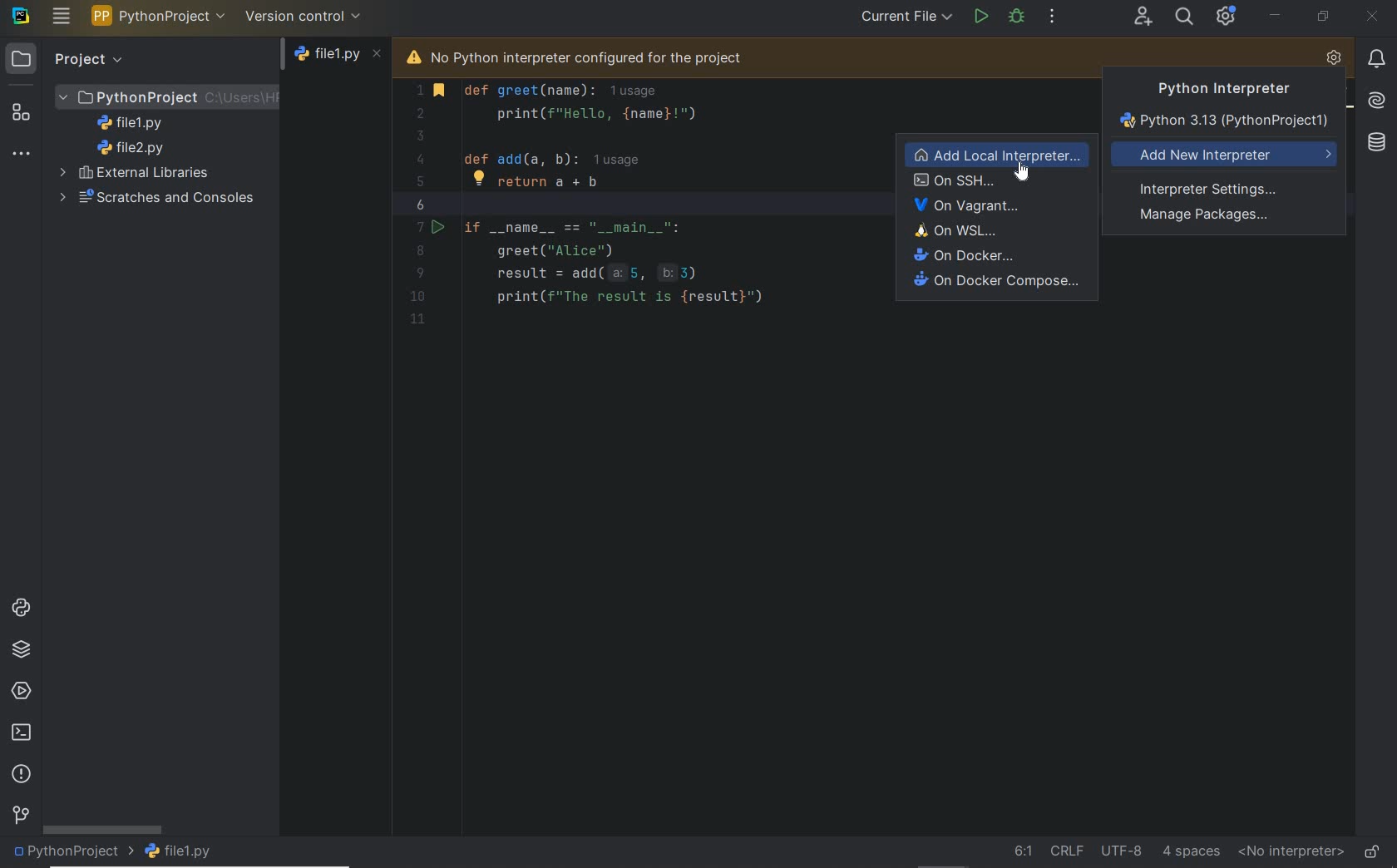 The height and width of the screenshot is (868, 1397). What do you see at coordinates (1372, 851) in the screenshot?
I see `make file ready only` at bounding box center [1372, 851].